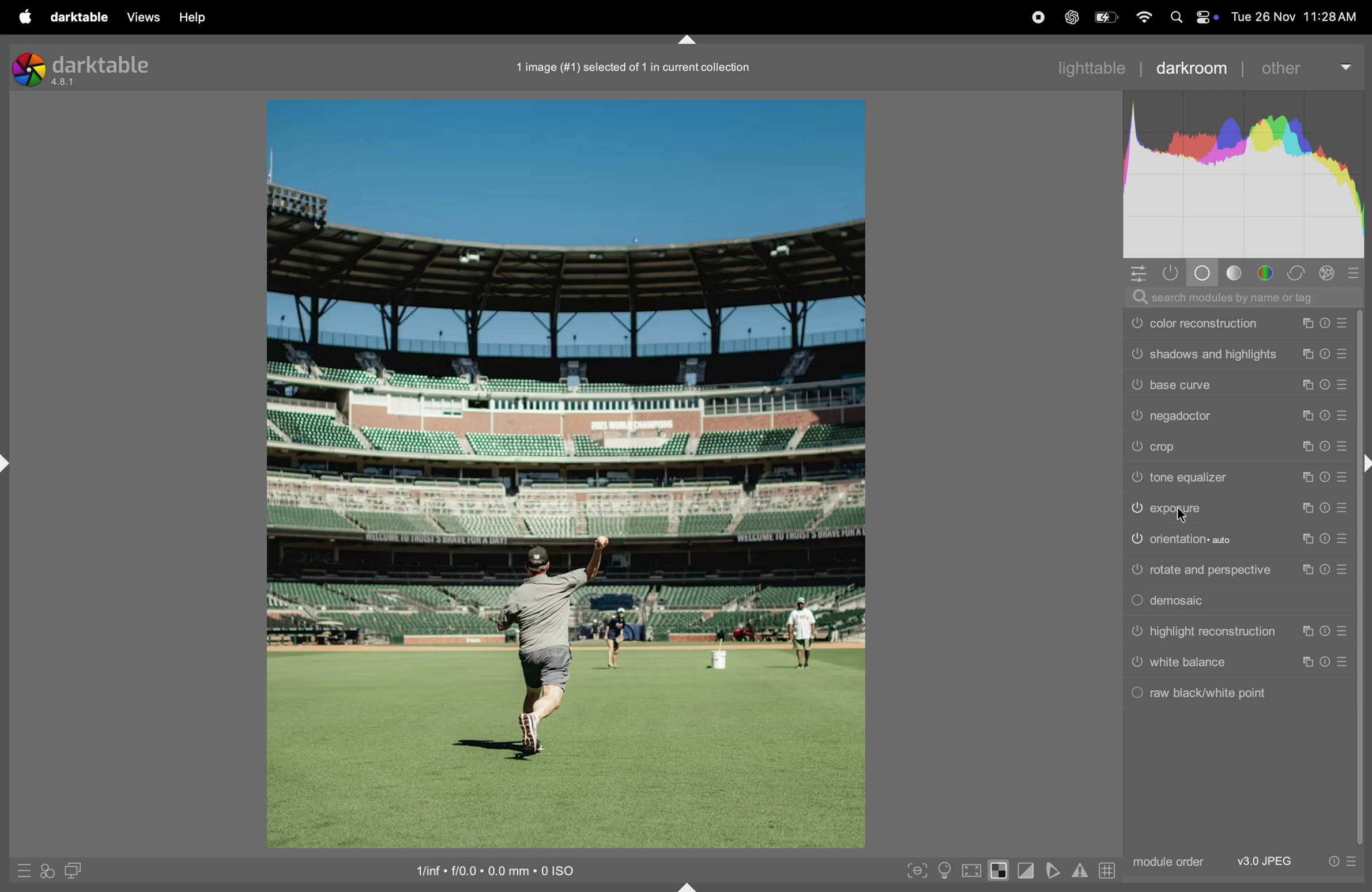 The width and height of the screenshot is (1372, 892). What do you see at coordinates (1298, 273) in the screenshot?
I see `correct` at bounding box center [1298, 273].